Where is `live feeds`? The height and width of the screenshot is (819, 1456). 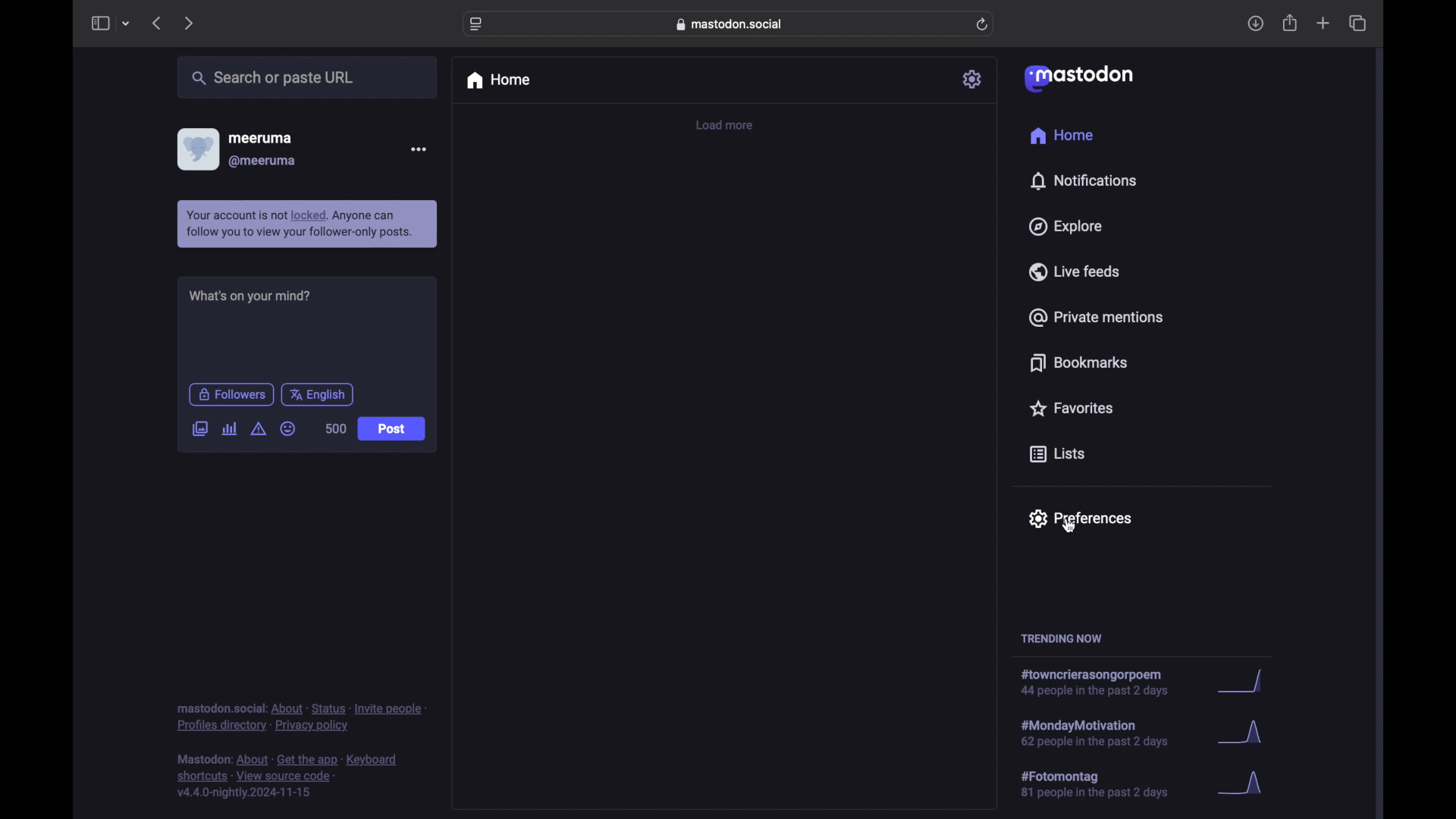 live feeds is located at coordinates (1074, 271).